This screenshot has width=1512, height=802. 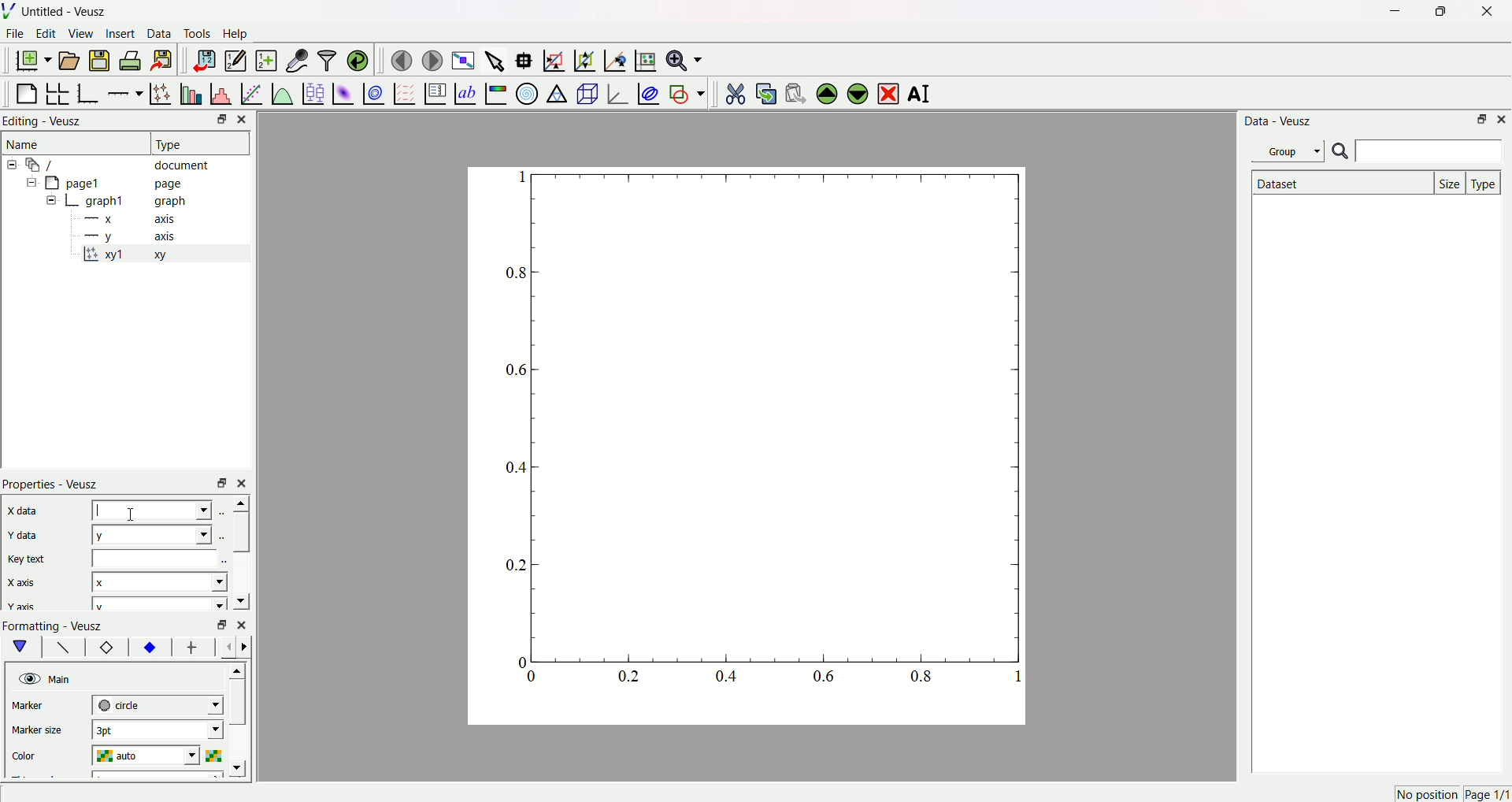 I want to click on File, so click(x=17, y=35).